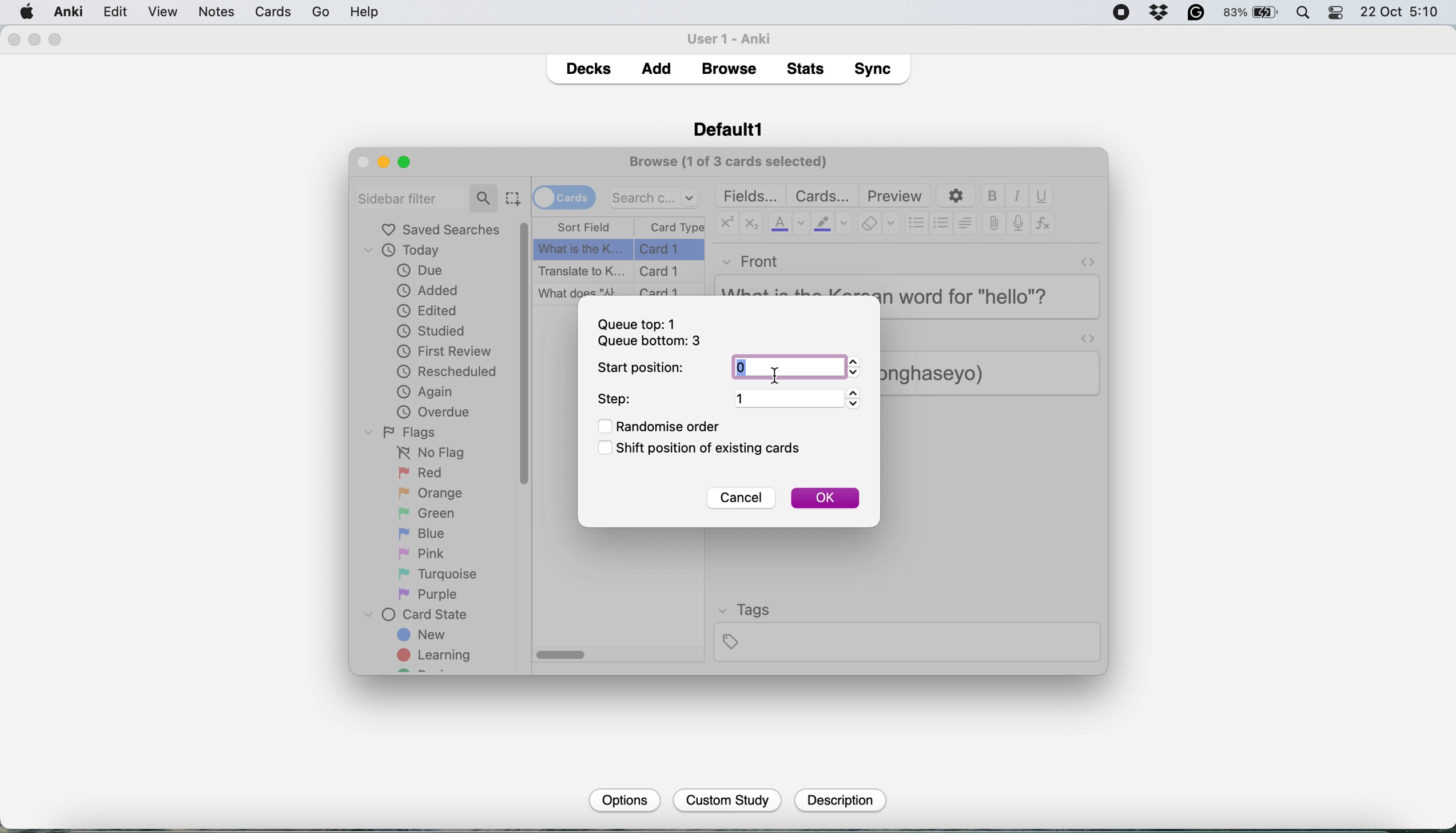 The image size is (1456, 833). I want to click on orange, so click(430, 493).